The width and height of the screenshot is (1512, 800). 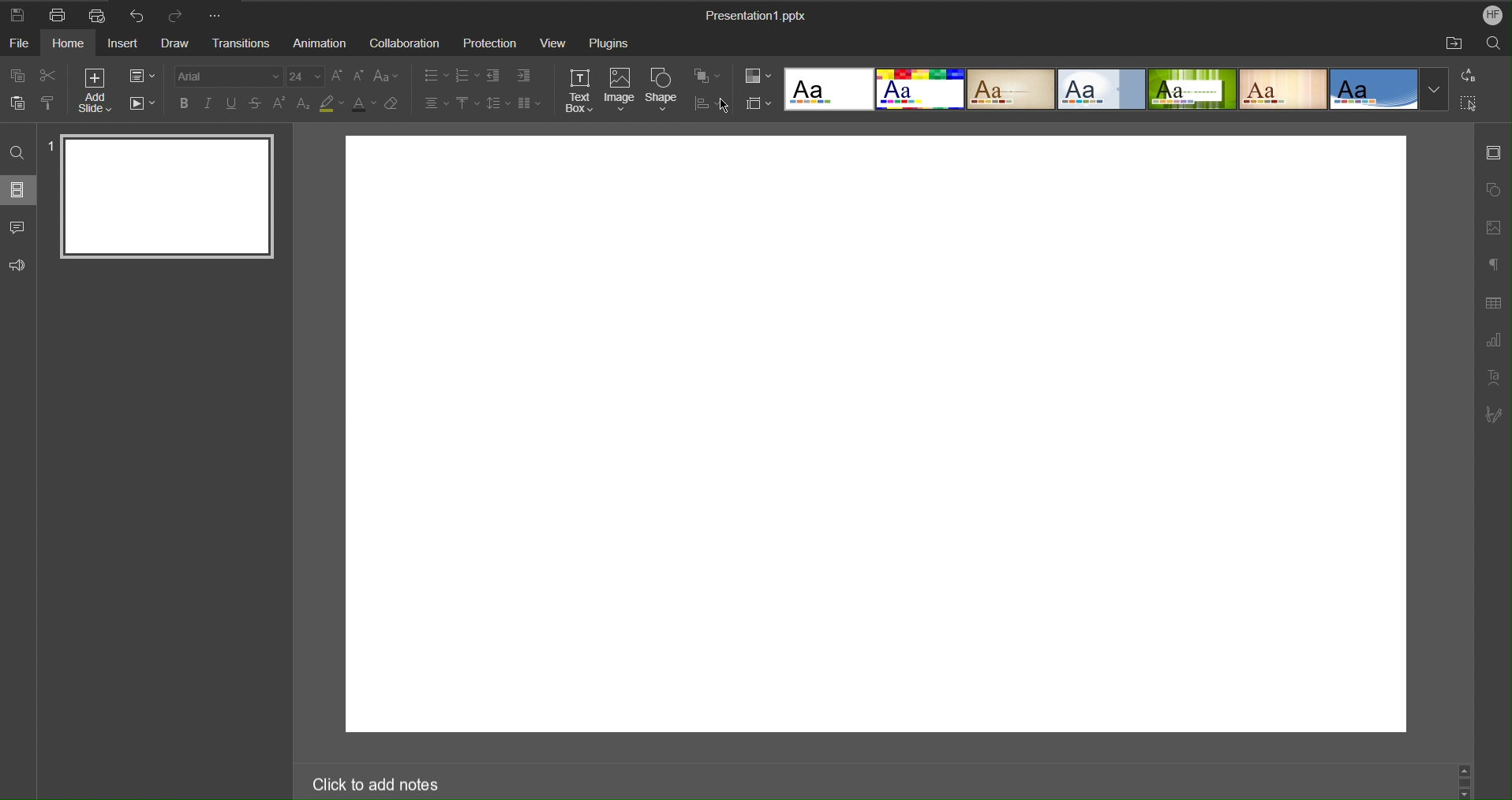 I want to click on Insert, so click(x=122, y=43).